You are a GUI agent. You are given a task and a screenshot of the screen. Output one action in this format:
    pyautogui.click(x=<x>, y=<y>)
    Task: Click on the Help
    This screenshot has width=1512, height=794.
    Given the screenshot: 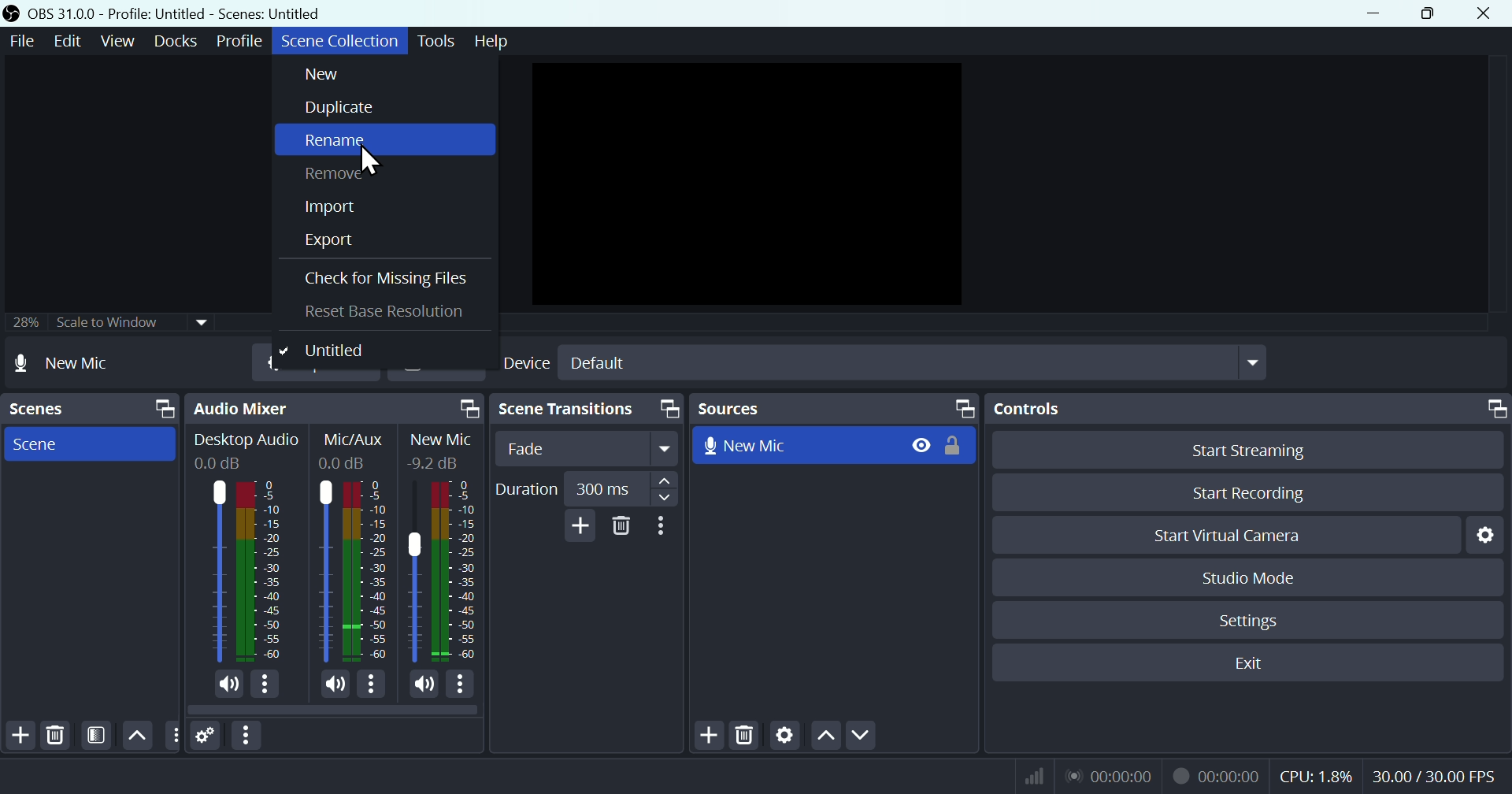 What is the action you would take?
    pyautogui.click(x=494, y=43)
    